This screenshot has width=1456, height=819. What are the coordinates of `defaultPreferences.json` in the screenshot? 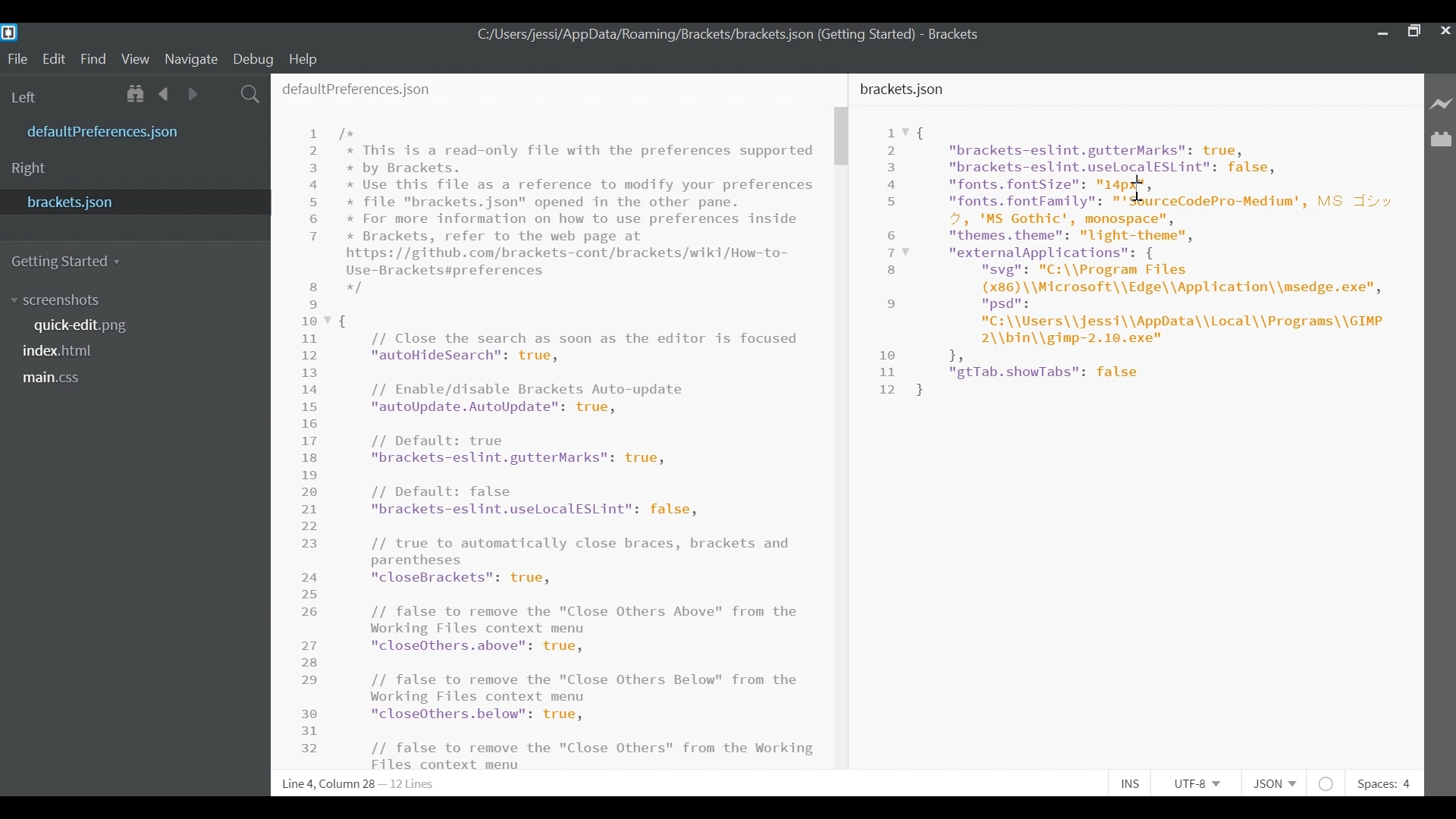 It's located at (136, 132).